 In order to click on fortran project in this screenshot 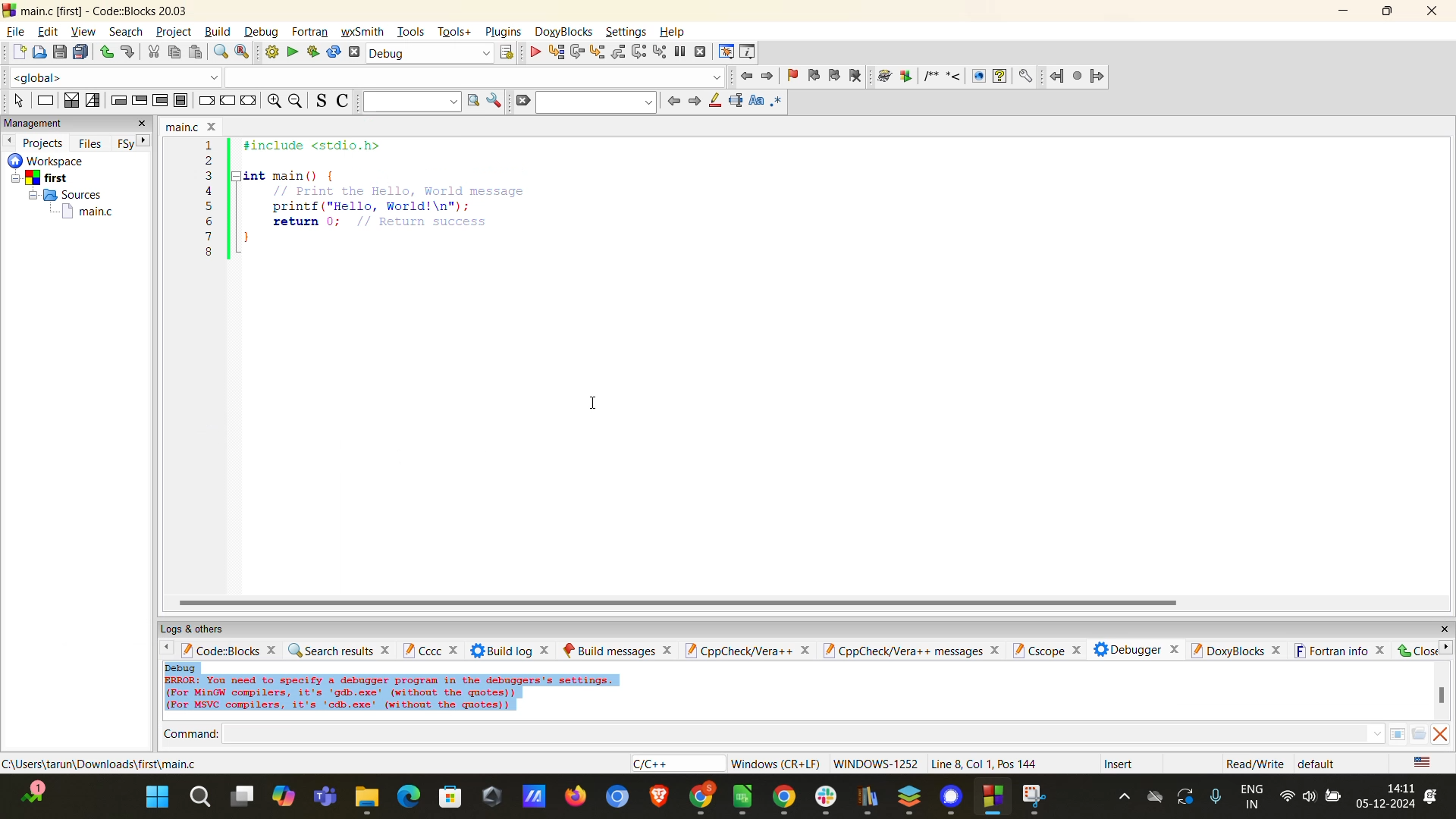, I will do `click(1078, 75)`.